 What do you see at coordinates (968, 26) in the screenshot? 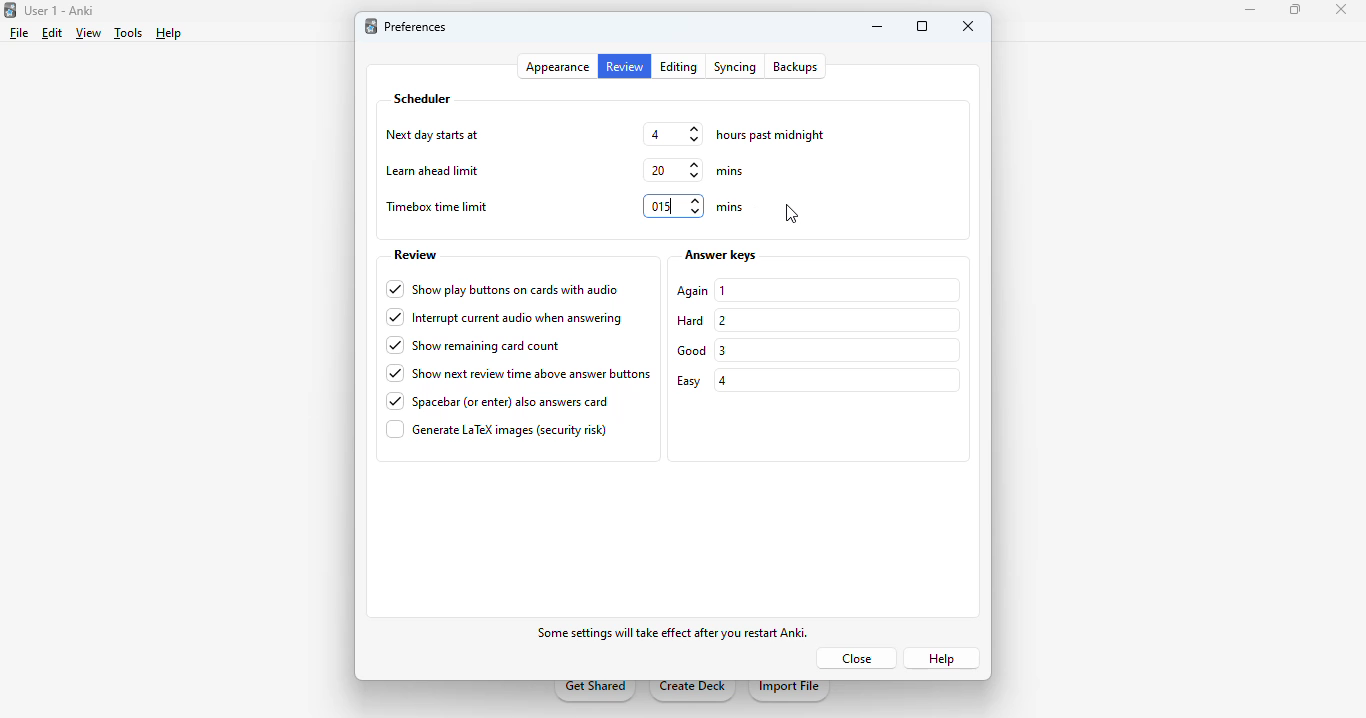
I see `close` at bounding box center [968, 26].